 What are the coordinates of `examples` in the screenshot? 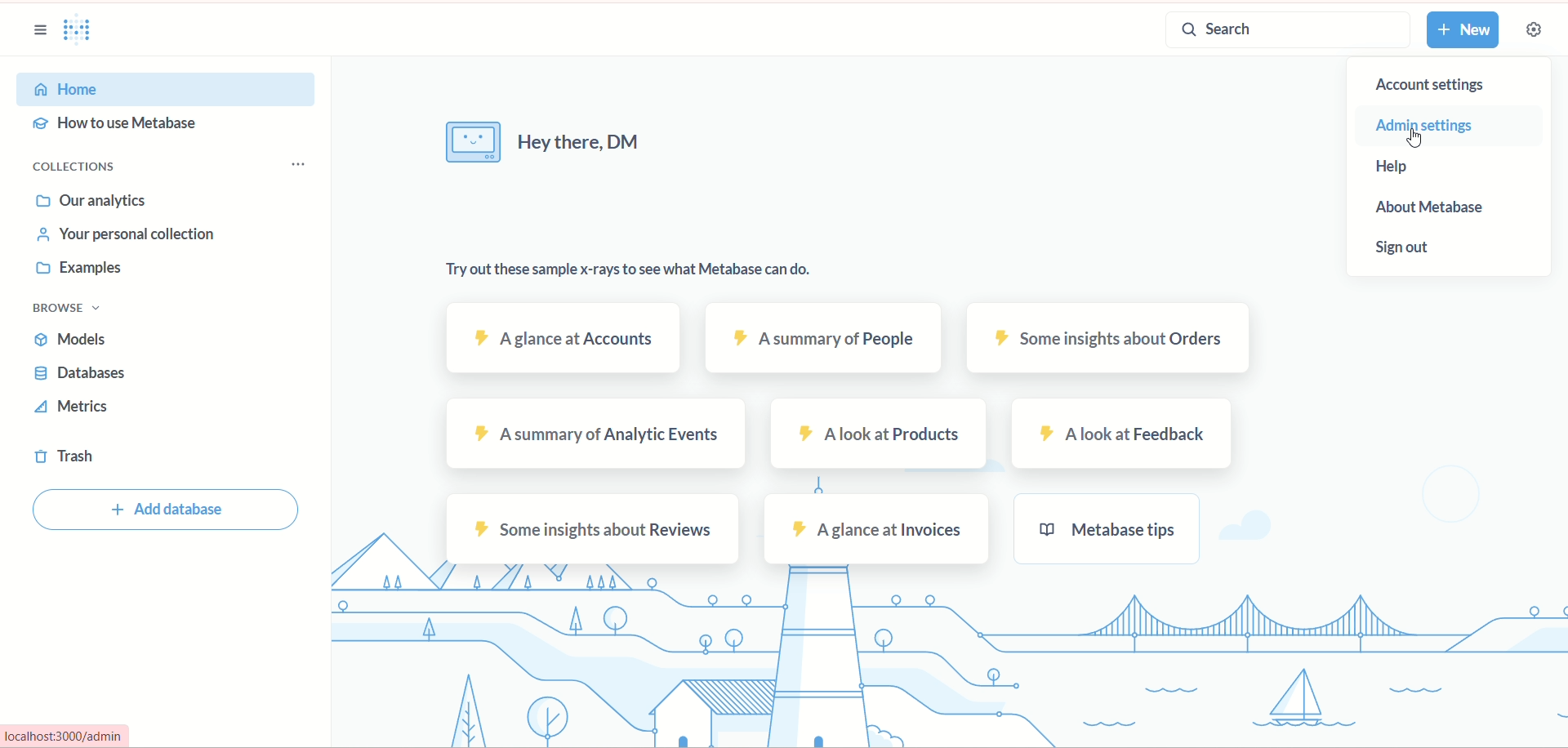 It's located at (85, 266).